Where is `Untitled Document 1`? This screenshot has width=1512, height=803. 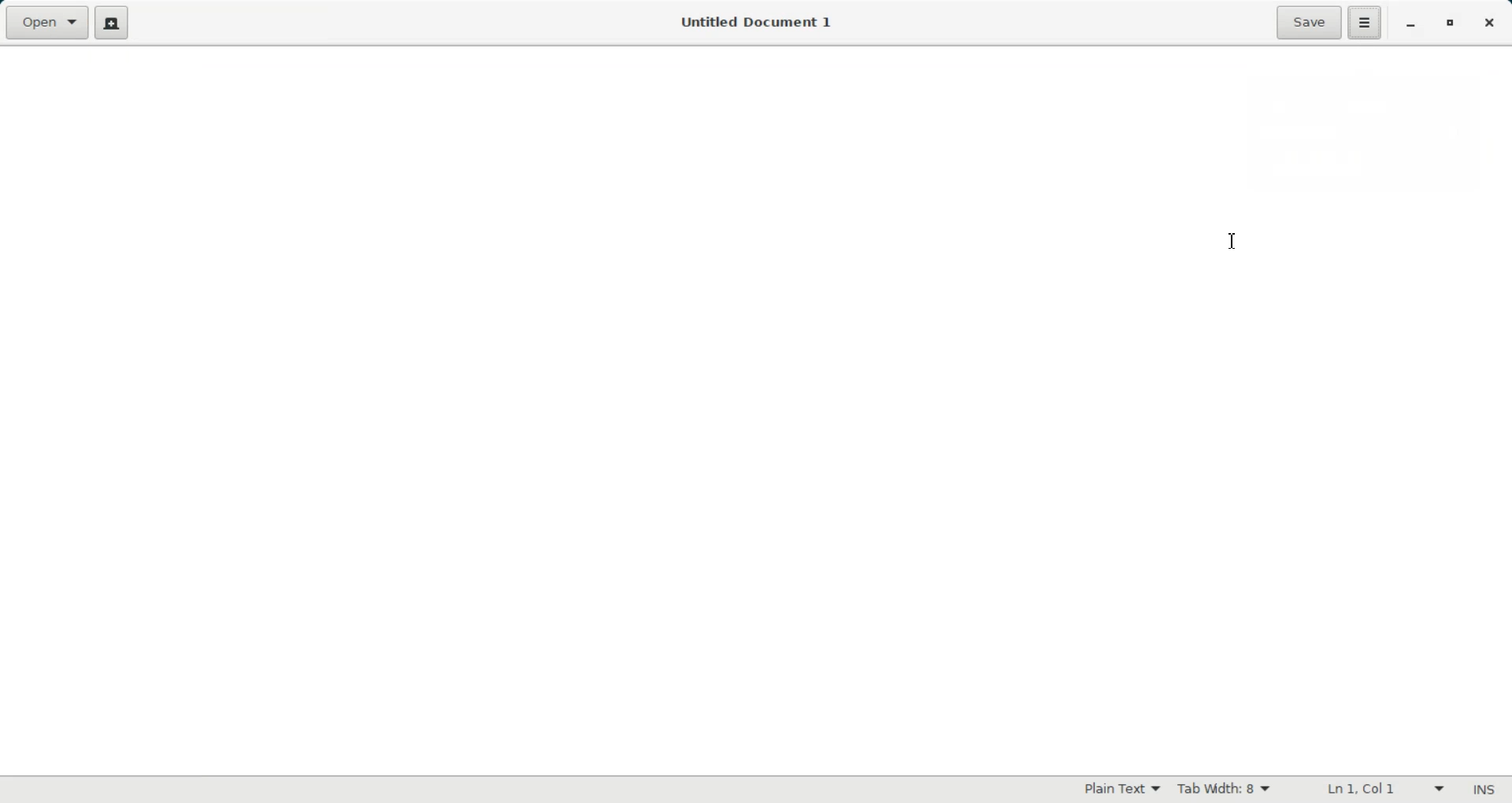 Untitled Document 1 is located at coordinates (758, 22).